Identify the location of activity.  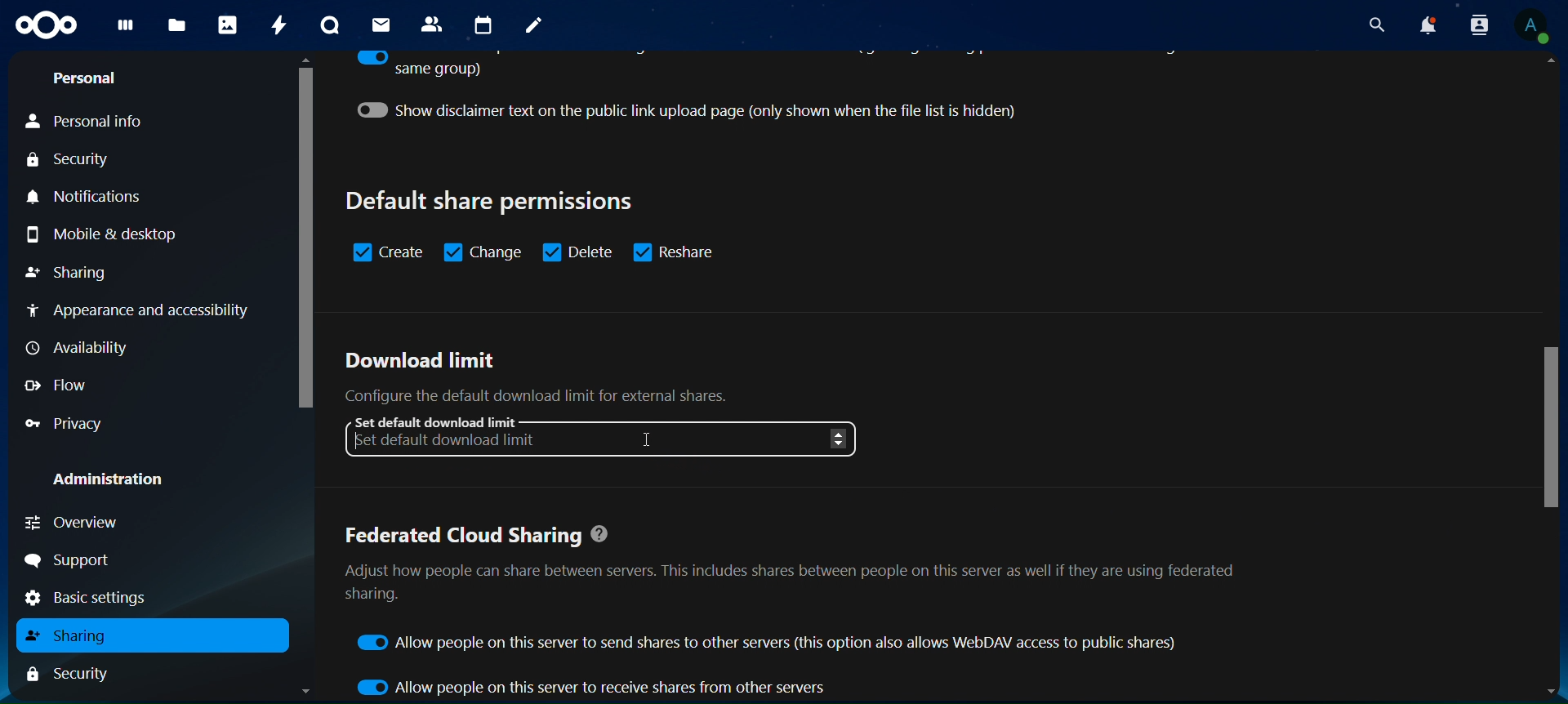
(278, 26).